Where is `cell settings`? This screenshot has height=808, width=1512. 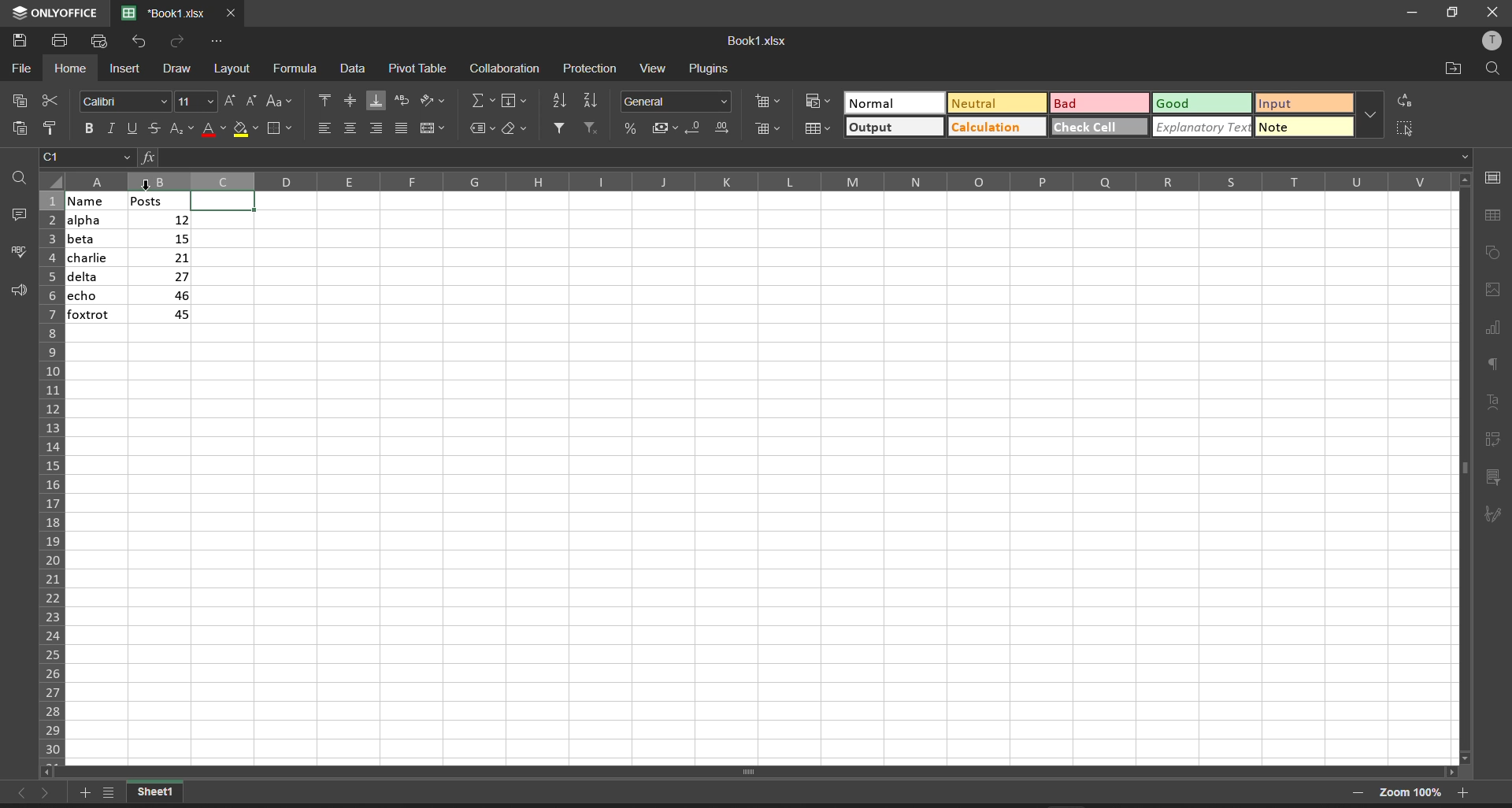 cell settings is located at coordinates (1496, 178).